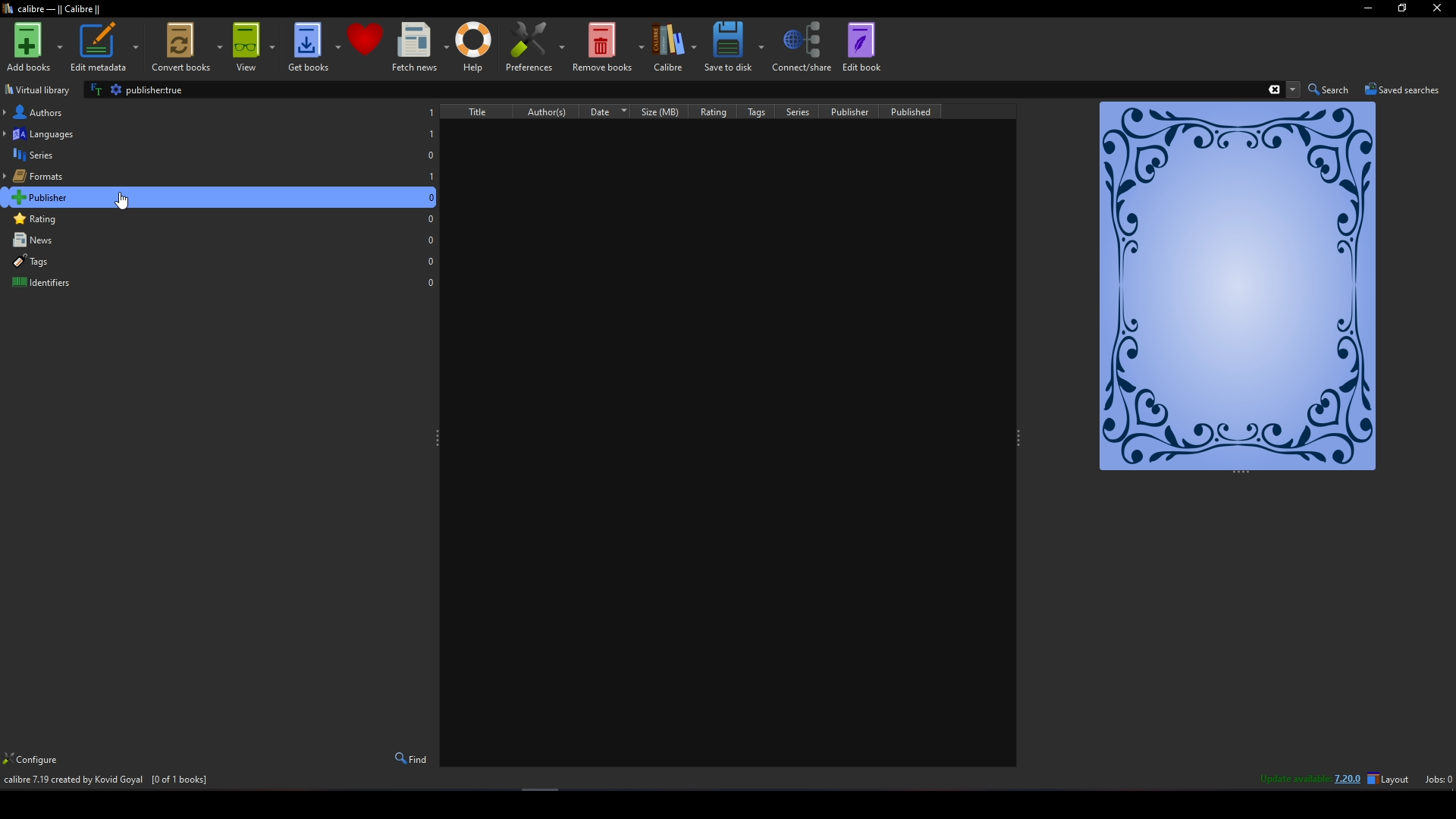  I want to click on Close, so click(1439, 9).